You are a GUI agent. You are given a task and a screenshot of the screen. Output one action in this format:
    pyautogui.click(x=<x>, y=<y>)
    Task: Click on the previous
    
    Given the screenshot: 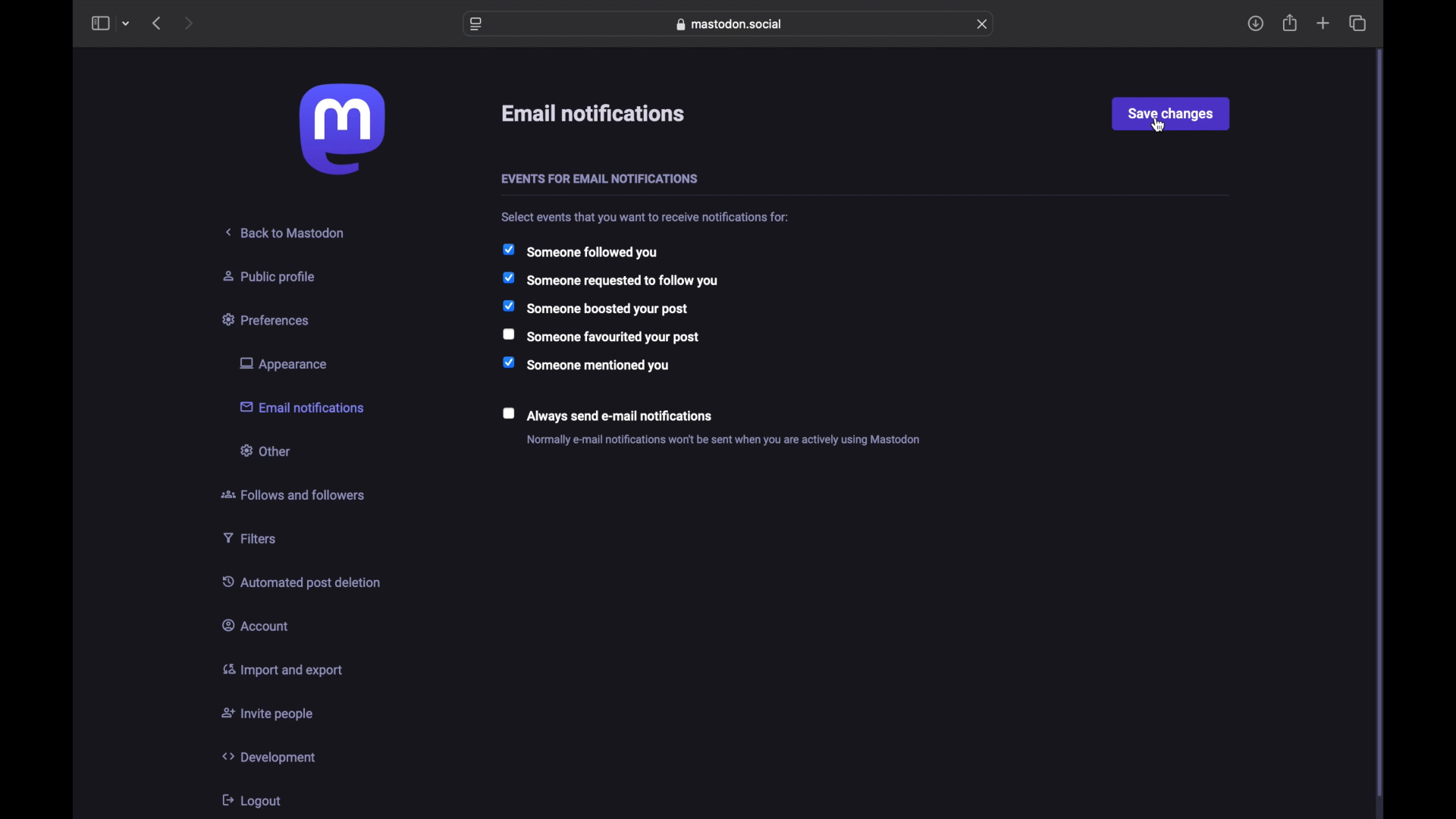 What is the action you would take?
    pyautogui.click(x=156, y=23)
    